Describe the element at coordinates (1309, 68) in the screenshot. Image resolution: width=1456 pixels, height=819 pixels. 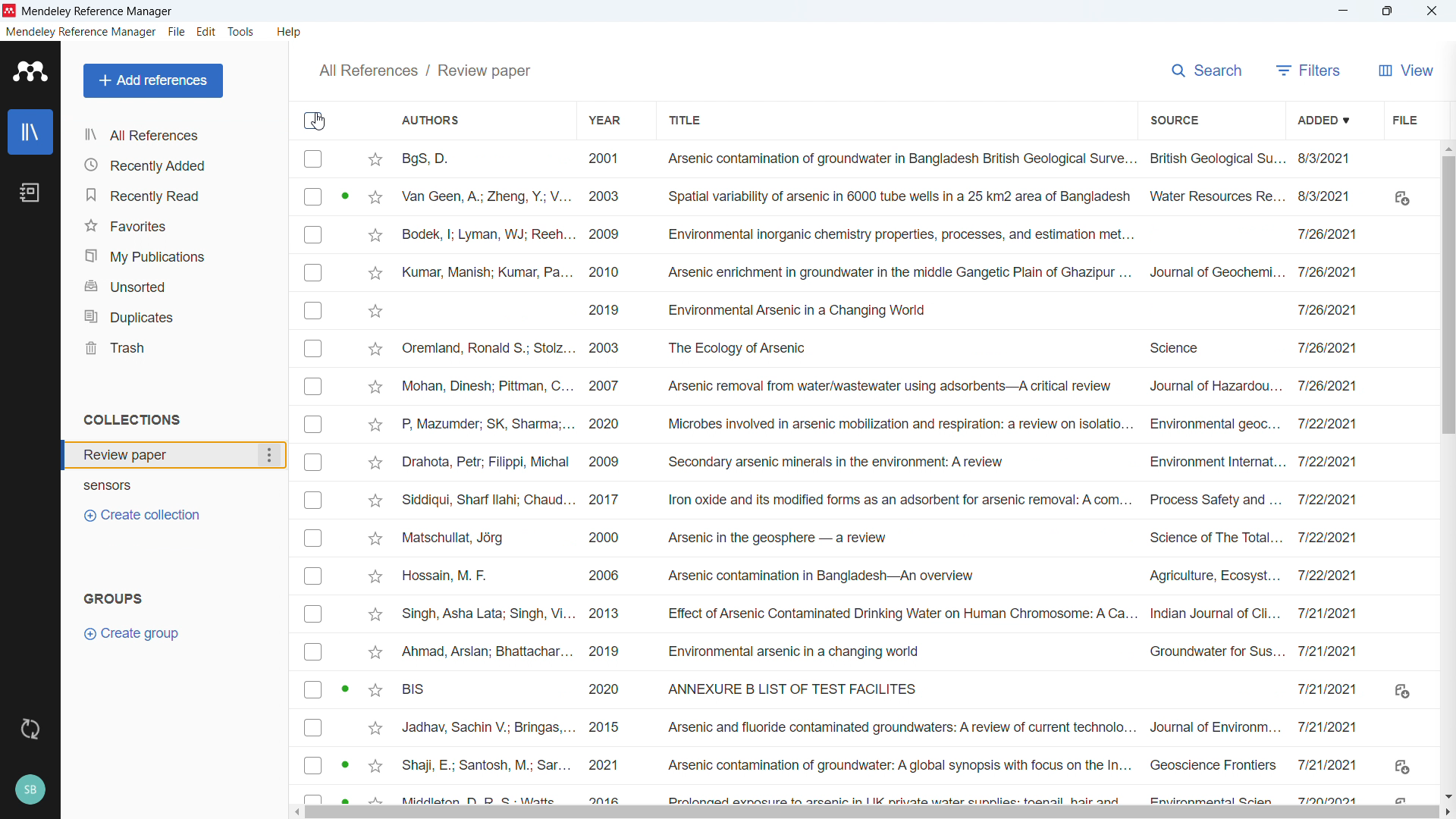
I see `filters` at that location.